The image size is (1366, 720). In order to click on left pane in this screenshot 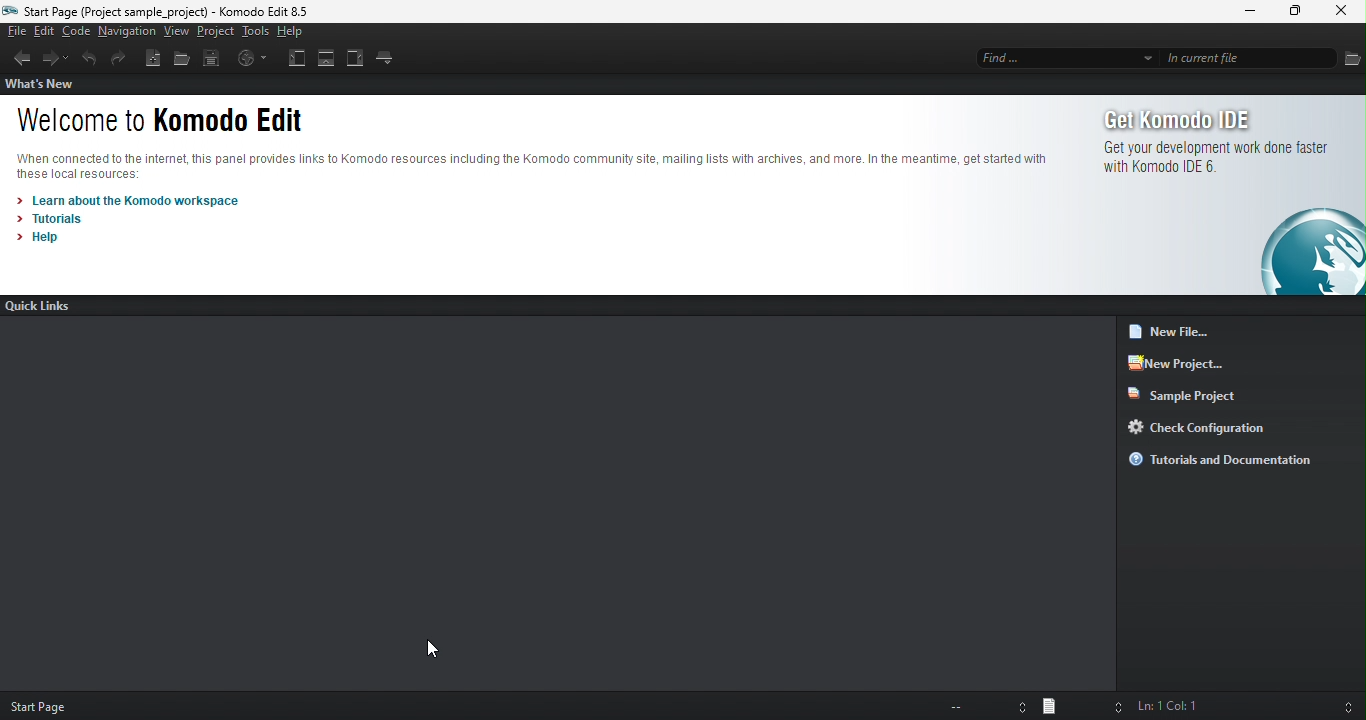, I will do `click(301, 57)`.